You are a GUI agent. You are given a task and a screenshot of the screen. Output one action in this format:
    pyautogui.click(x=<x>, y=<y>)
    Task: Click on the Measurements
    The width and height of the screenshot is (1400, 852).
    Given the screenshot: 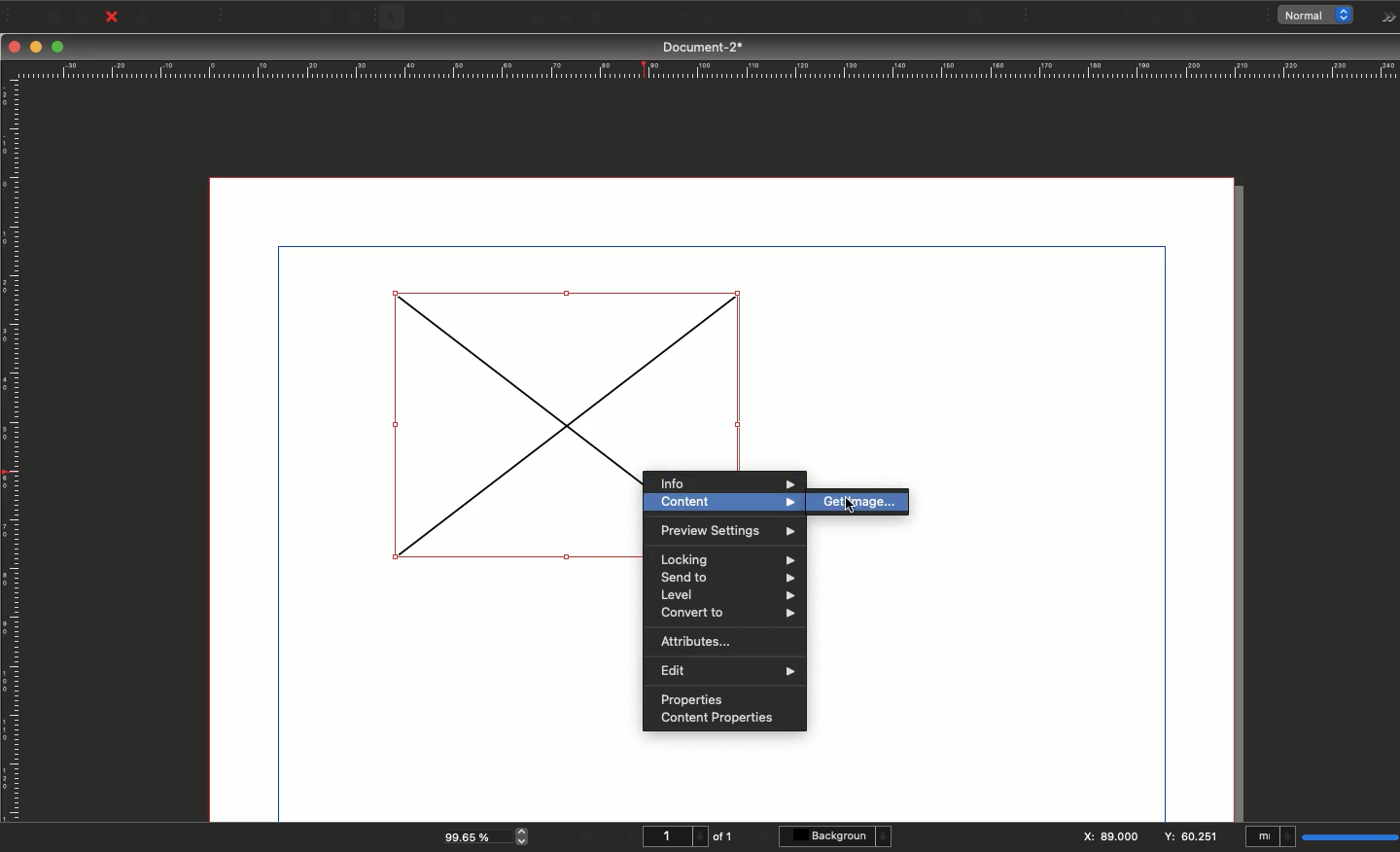 What is the action you would take?
    pyautogui.click(x=941, y=18)
    